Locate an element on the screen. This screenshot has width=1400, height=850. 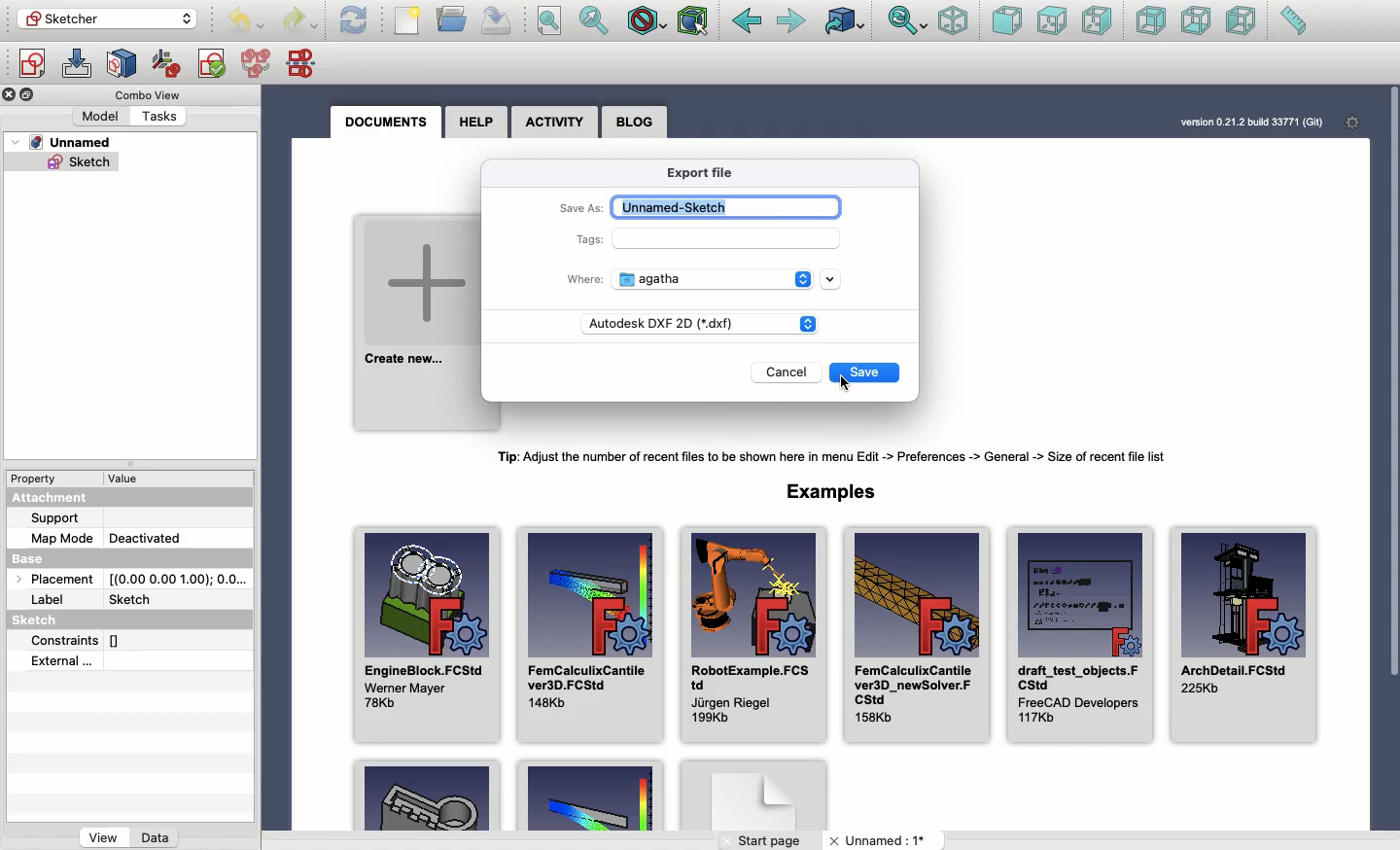
Rear is located at coordinates (1150, 22).